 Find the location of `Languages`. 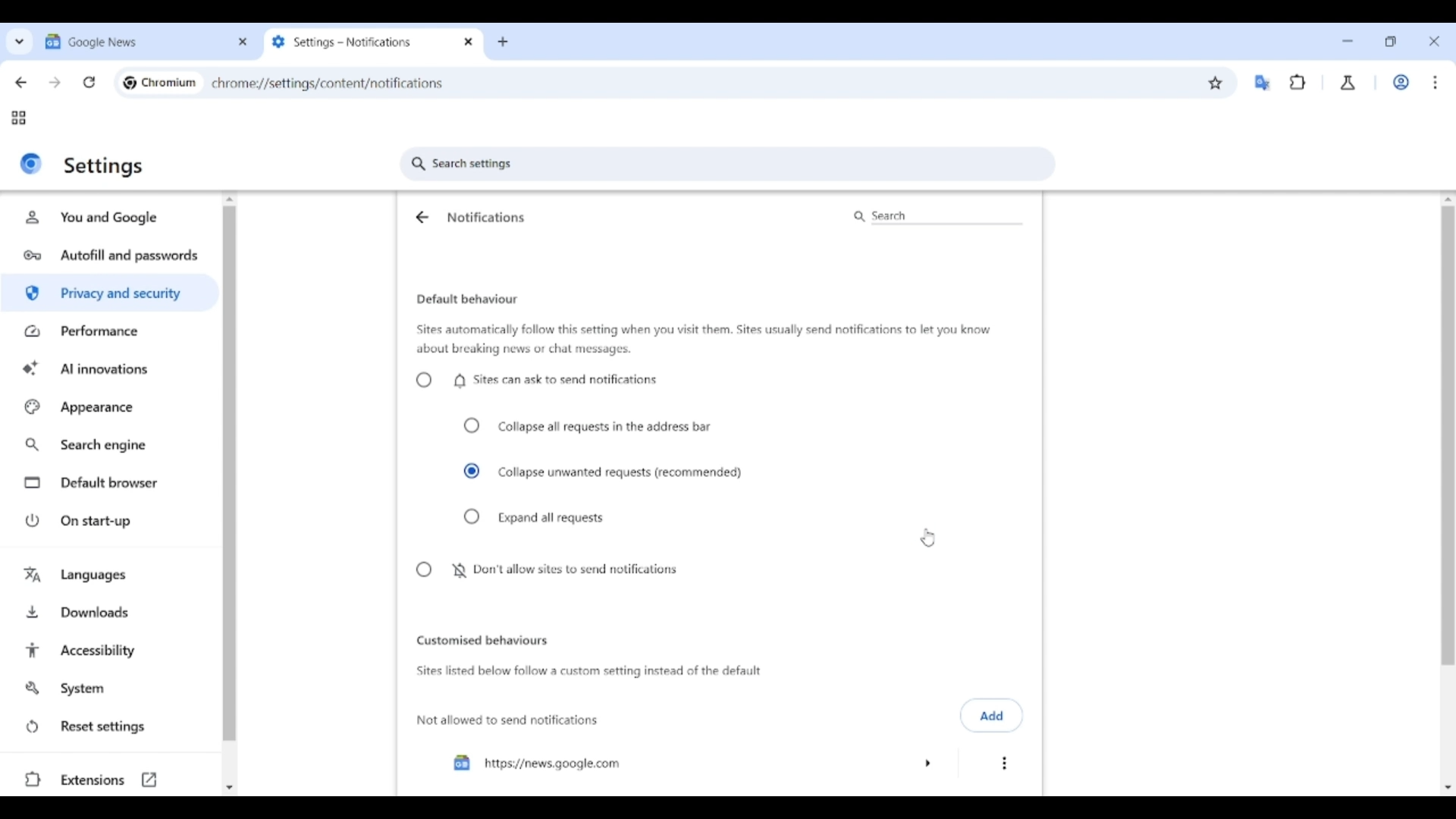

Languages is located at coordinates (111, 576).